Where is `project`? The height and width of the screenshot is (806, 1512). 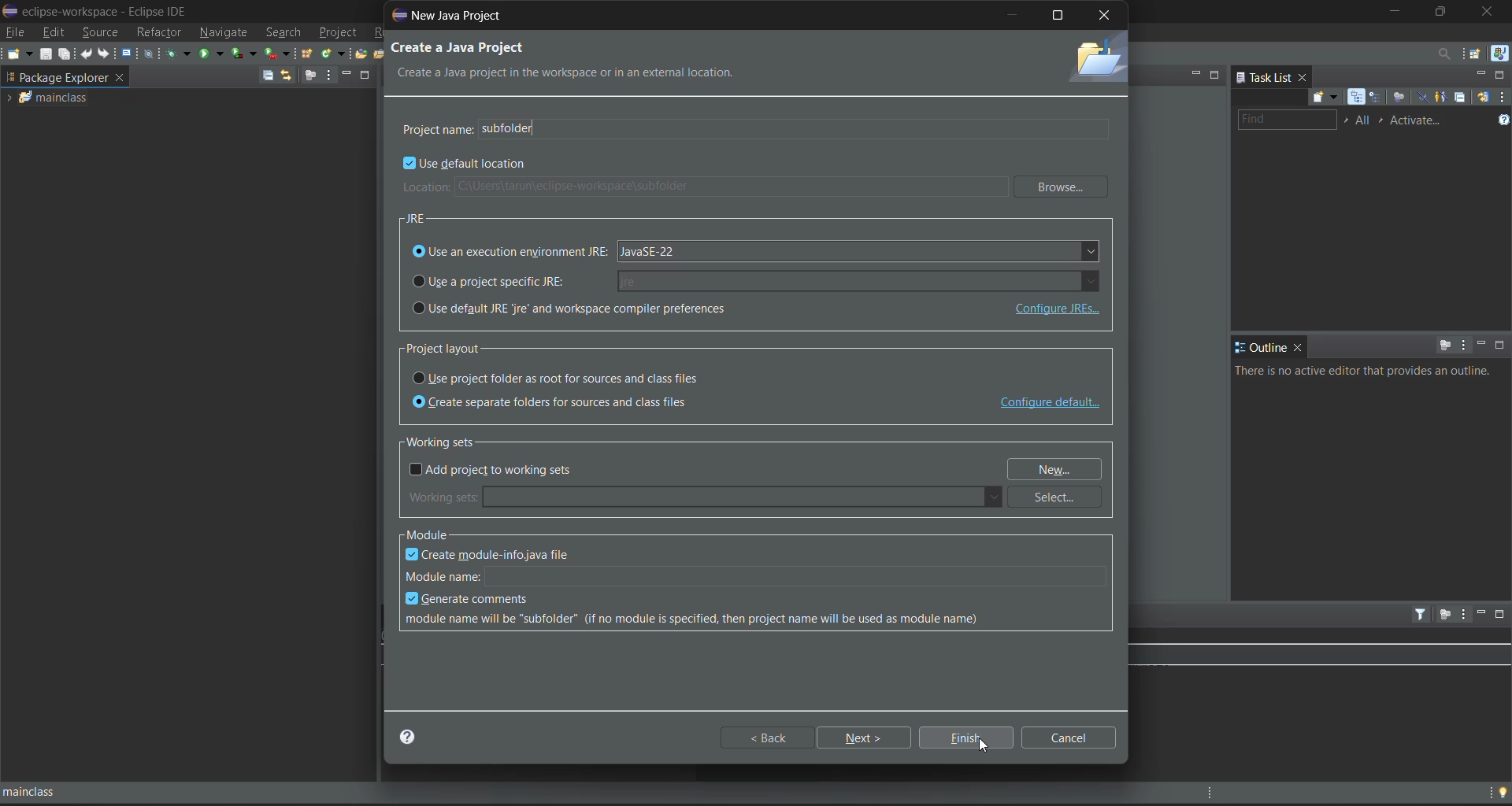
project is located at coordinates (339, 34).